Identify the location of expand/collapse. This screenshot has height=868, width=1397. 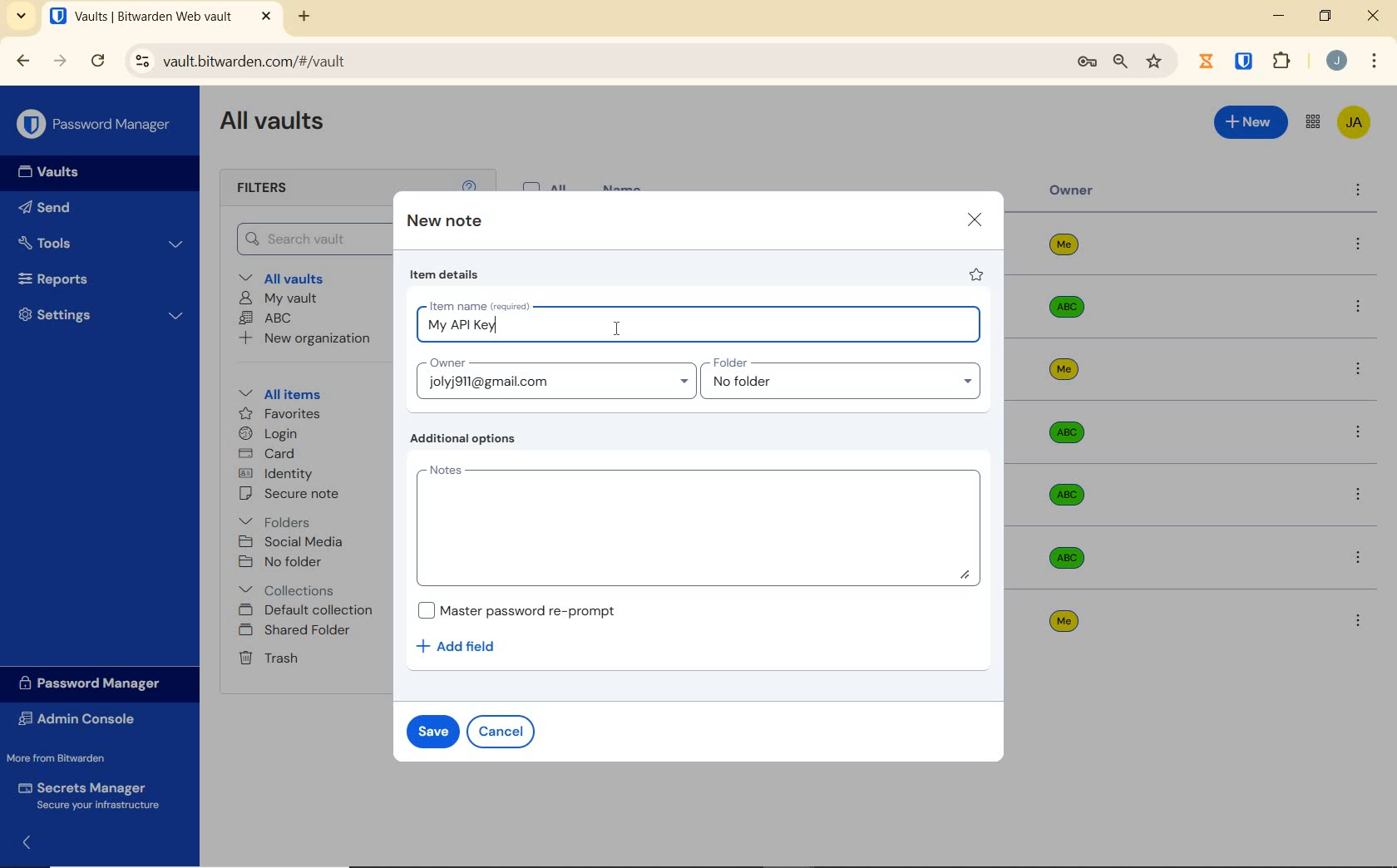
(30, 841).